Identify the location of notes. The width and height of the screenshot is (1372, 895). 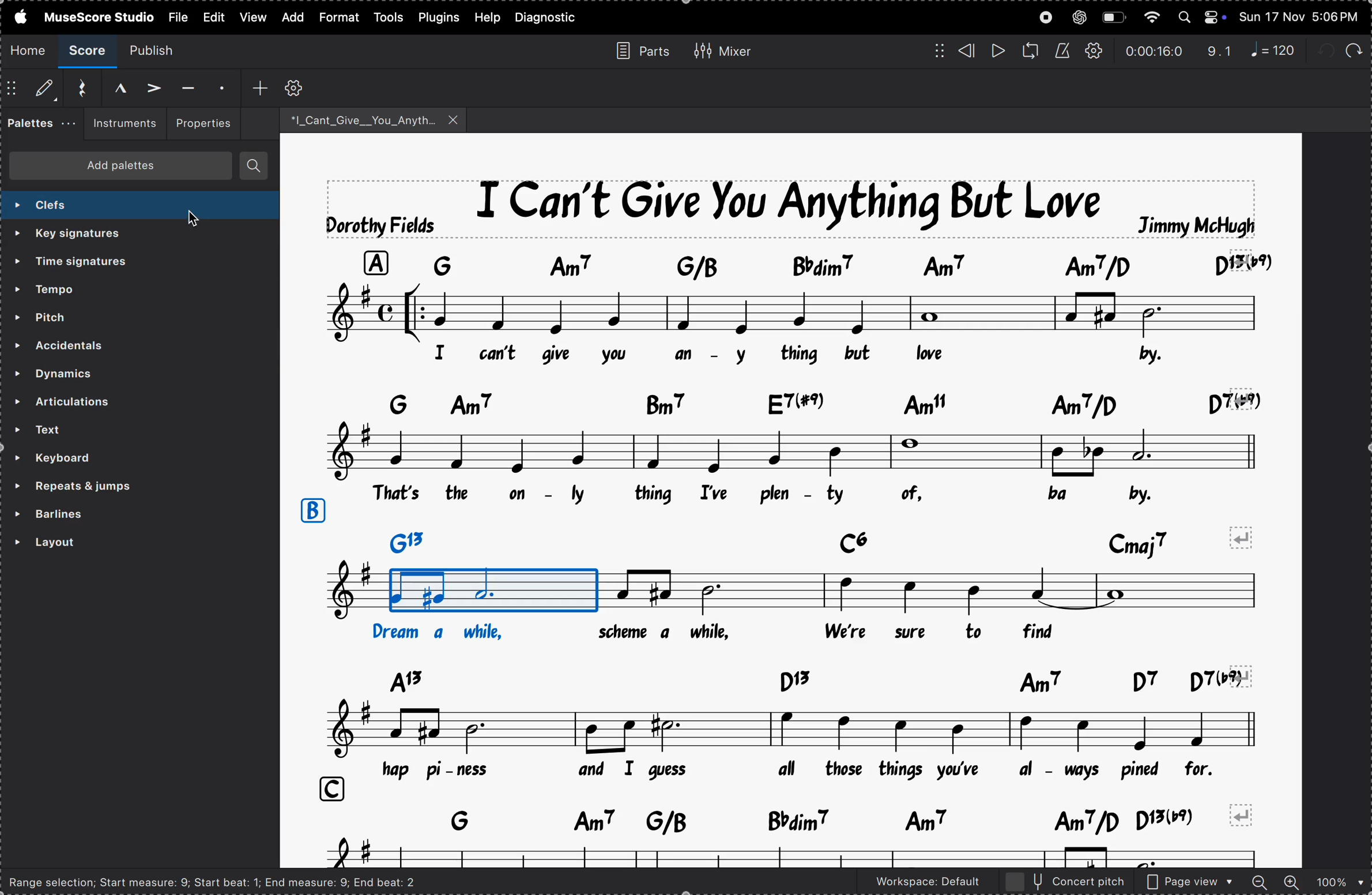
(794, 450).